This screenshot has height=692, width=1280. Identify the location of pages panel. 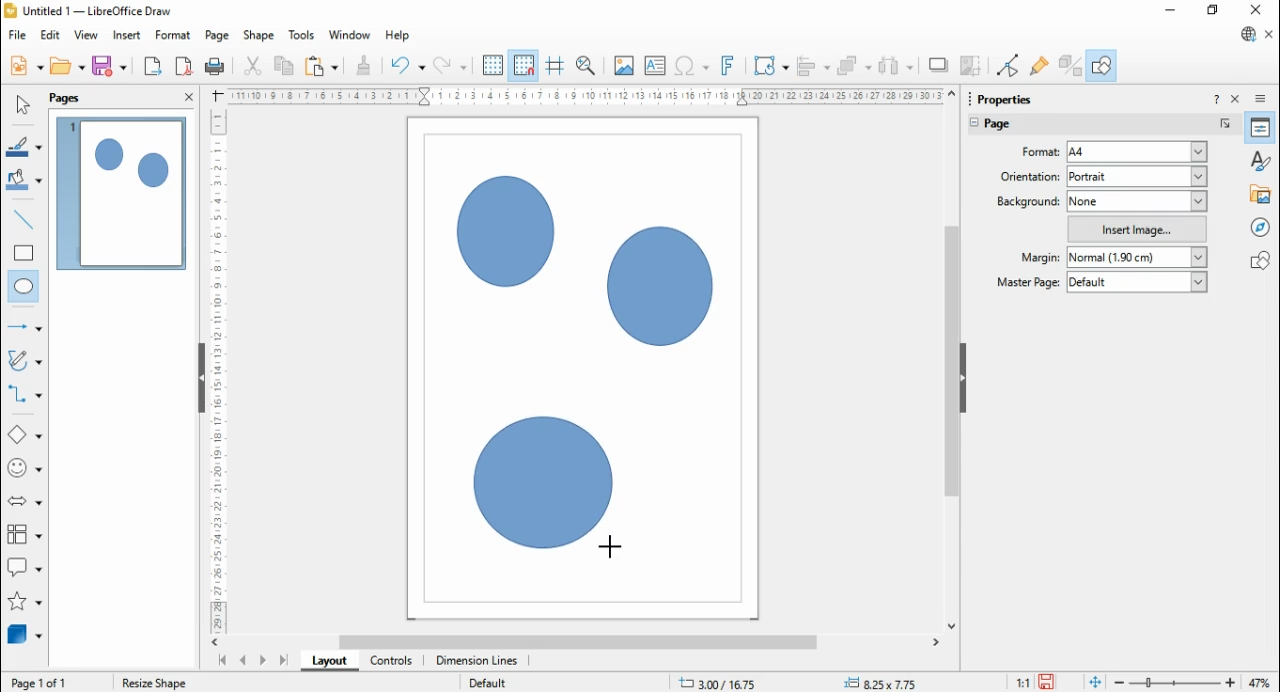
(79, 98).